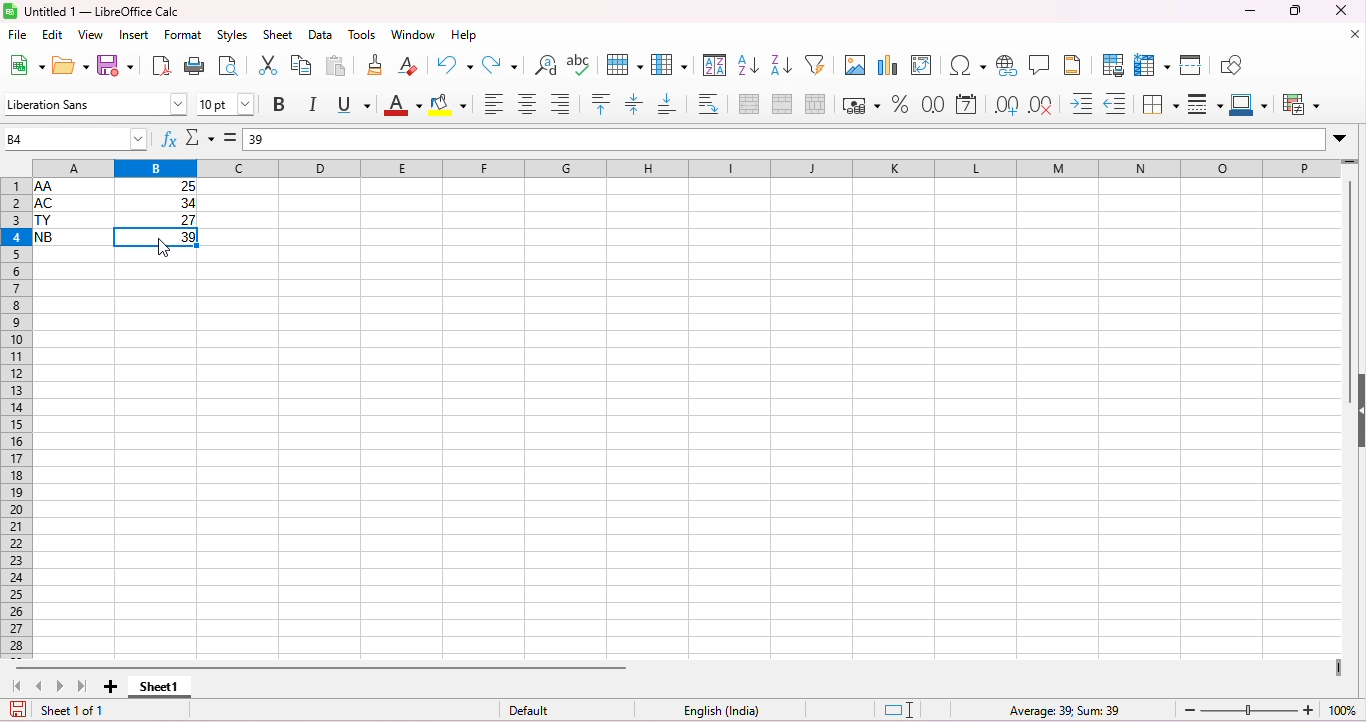  Describe the element at coordinates (1154, 64) in the screenshot. I see `freeze rows and columns` at that location.